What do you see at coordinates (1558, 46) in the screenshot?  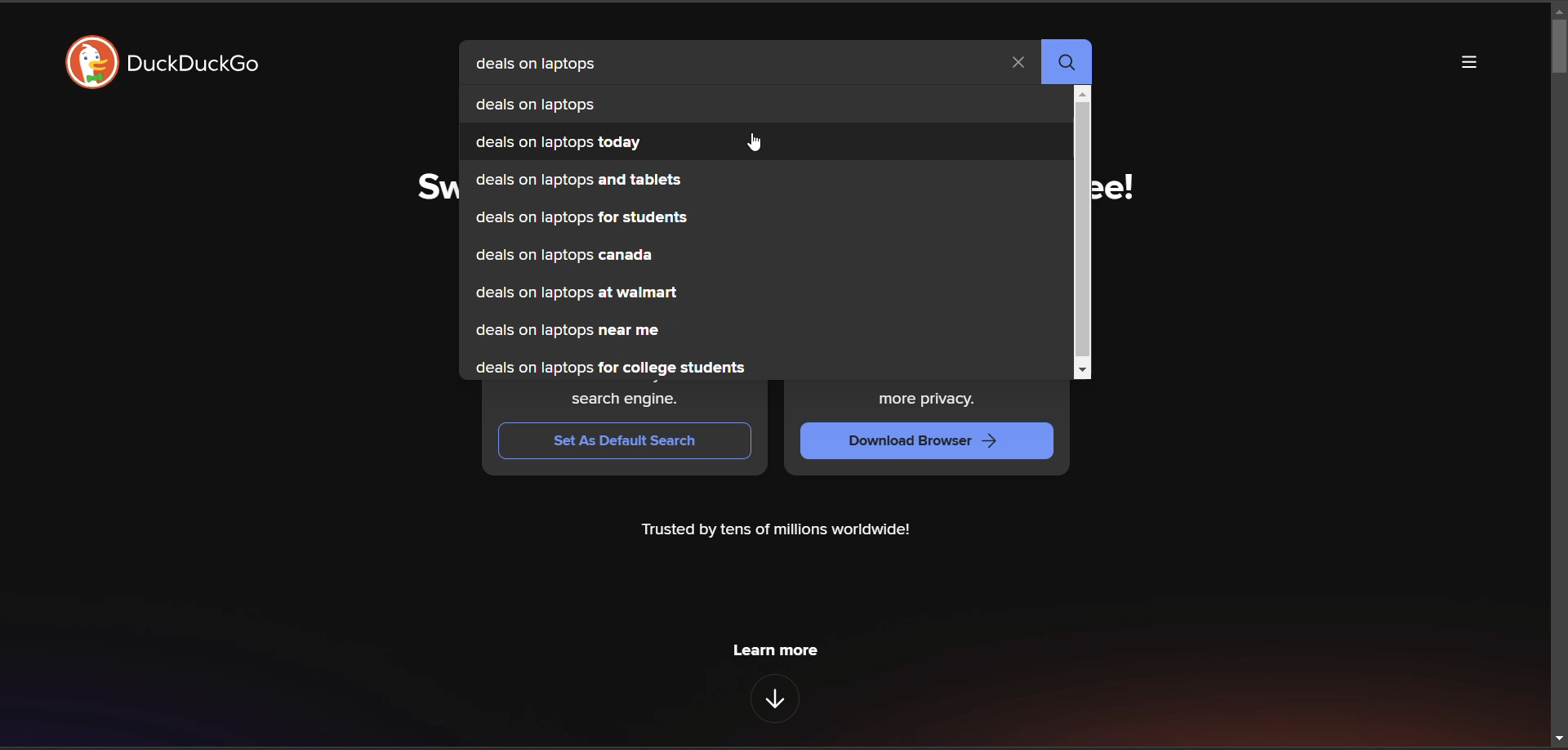 I see `vertical search bar` at bounding box center [1558, 46].